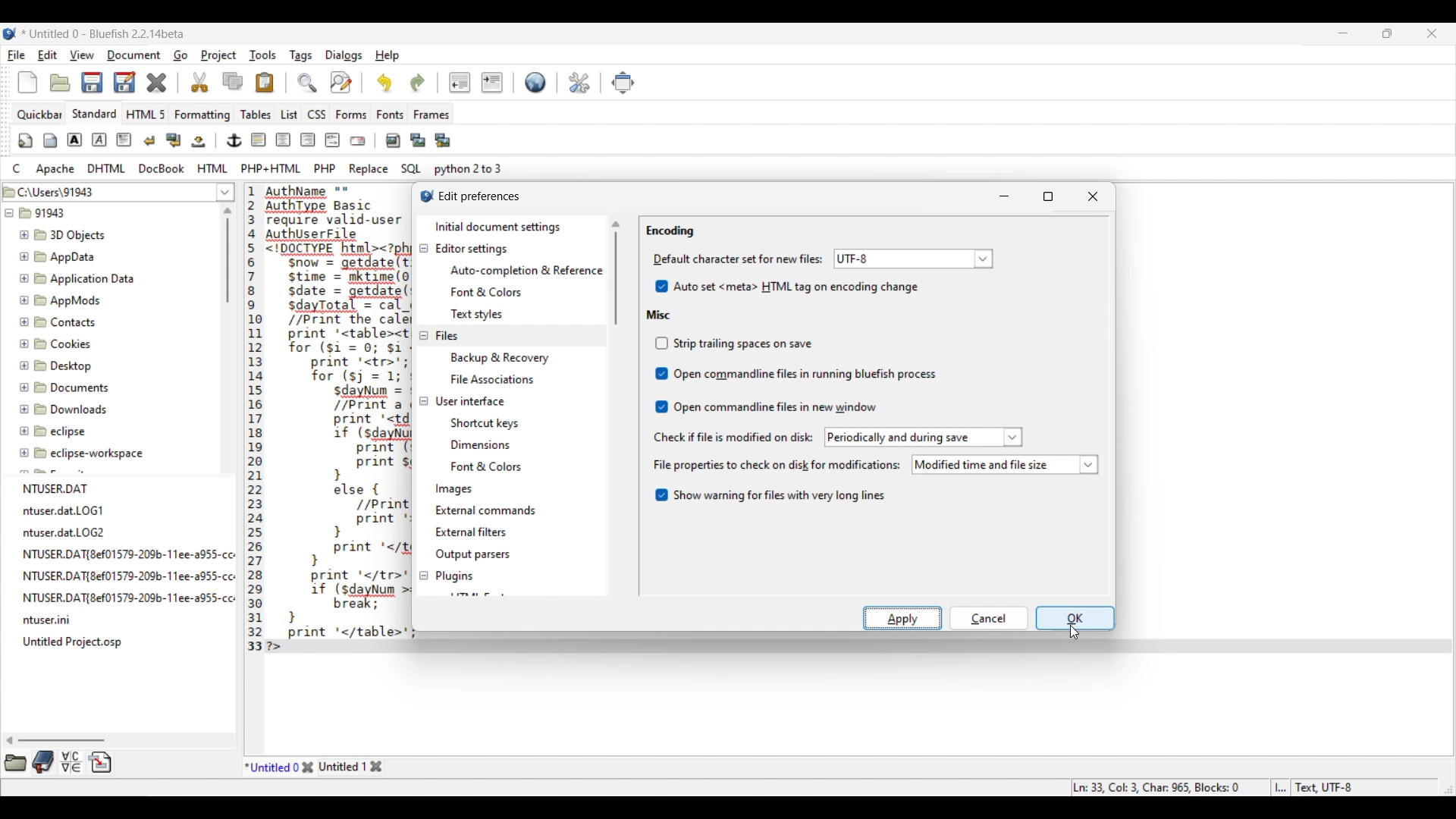 The height and width of the screenshot is (819, 1456). I want to click on Compyter code options, so click(257, 168).